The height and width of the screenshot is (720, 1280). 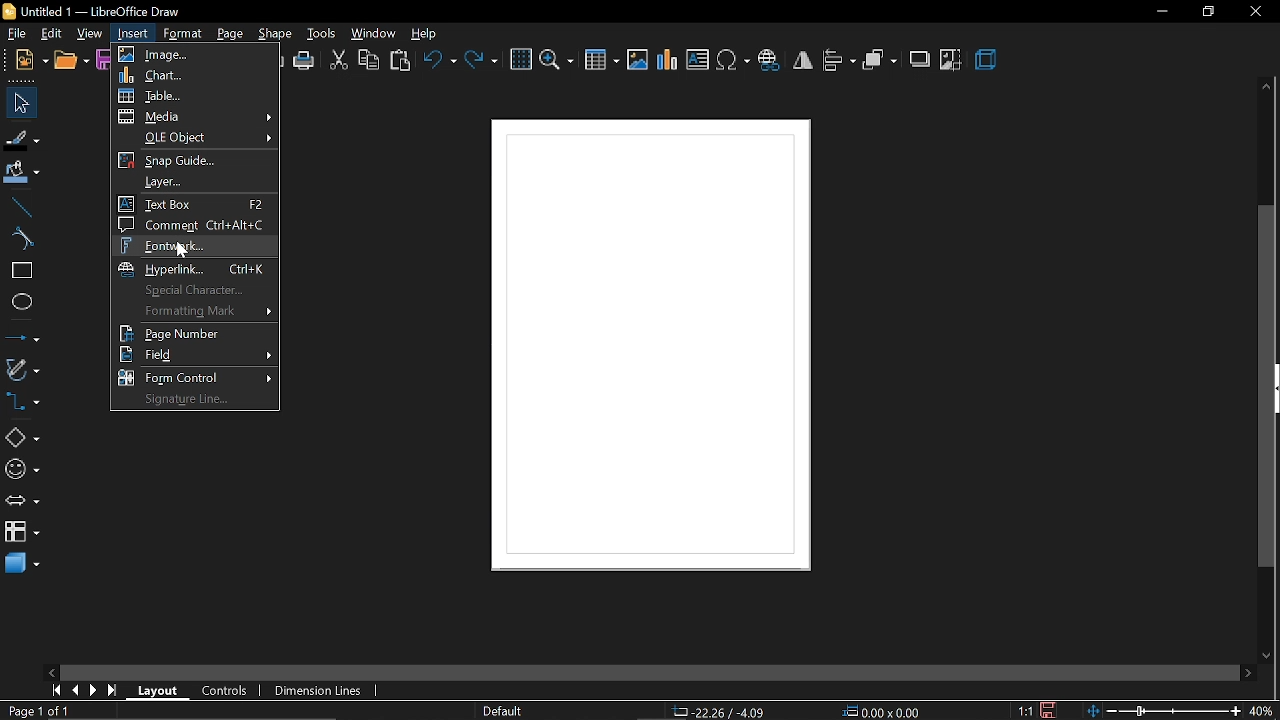 What do you see at coordinates (1163, 711) in the screenshot?
I see `zoom scale` at bounding box center [1163, 711].